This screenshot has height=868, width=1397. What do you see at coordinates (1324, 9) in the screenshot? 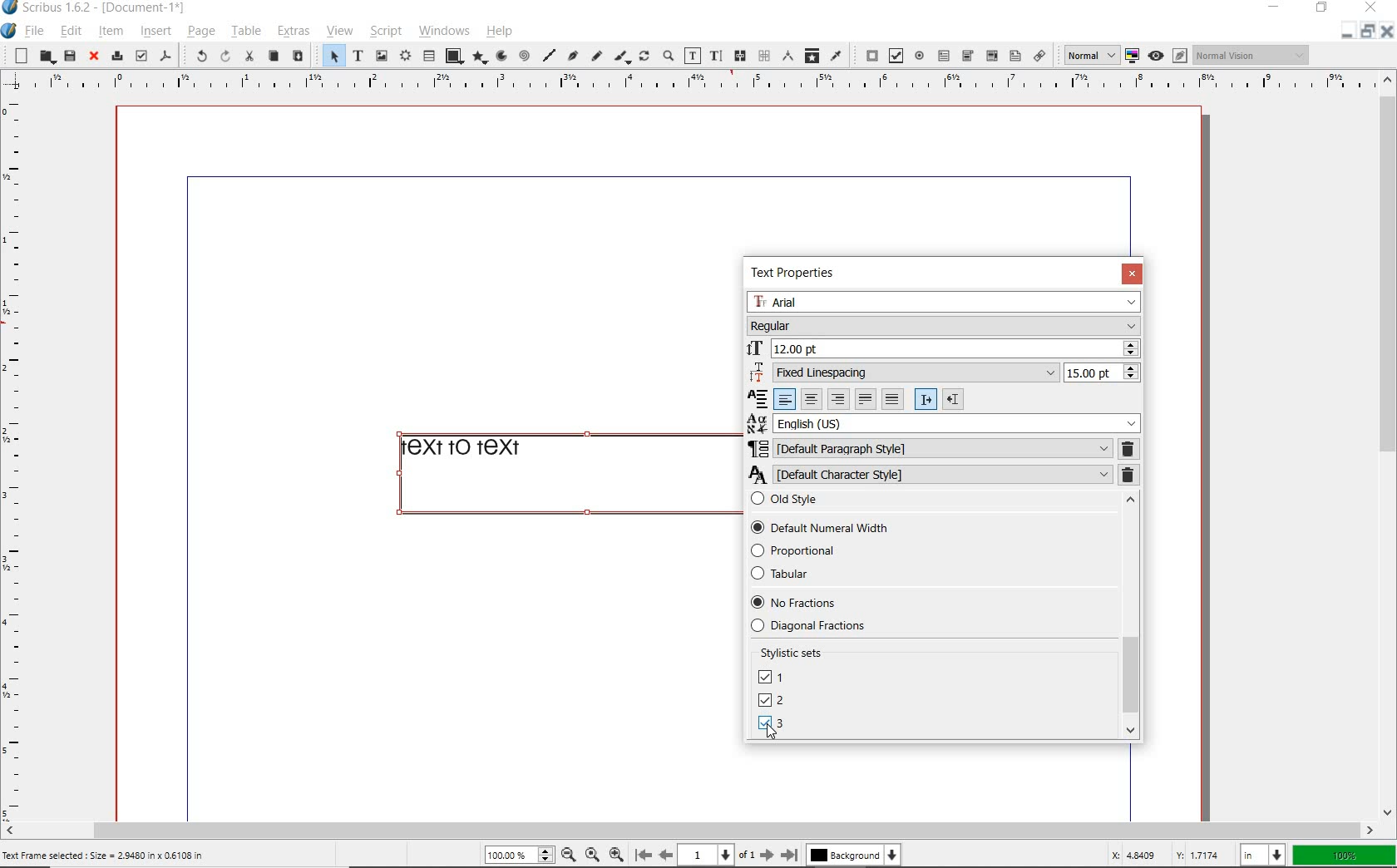
I see `restore` at bounding box center [1324, 9].